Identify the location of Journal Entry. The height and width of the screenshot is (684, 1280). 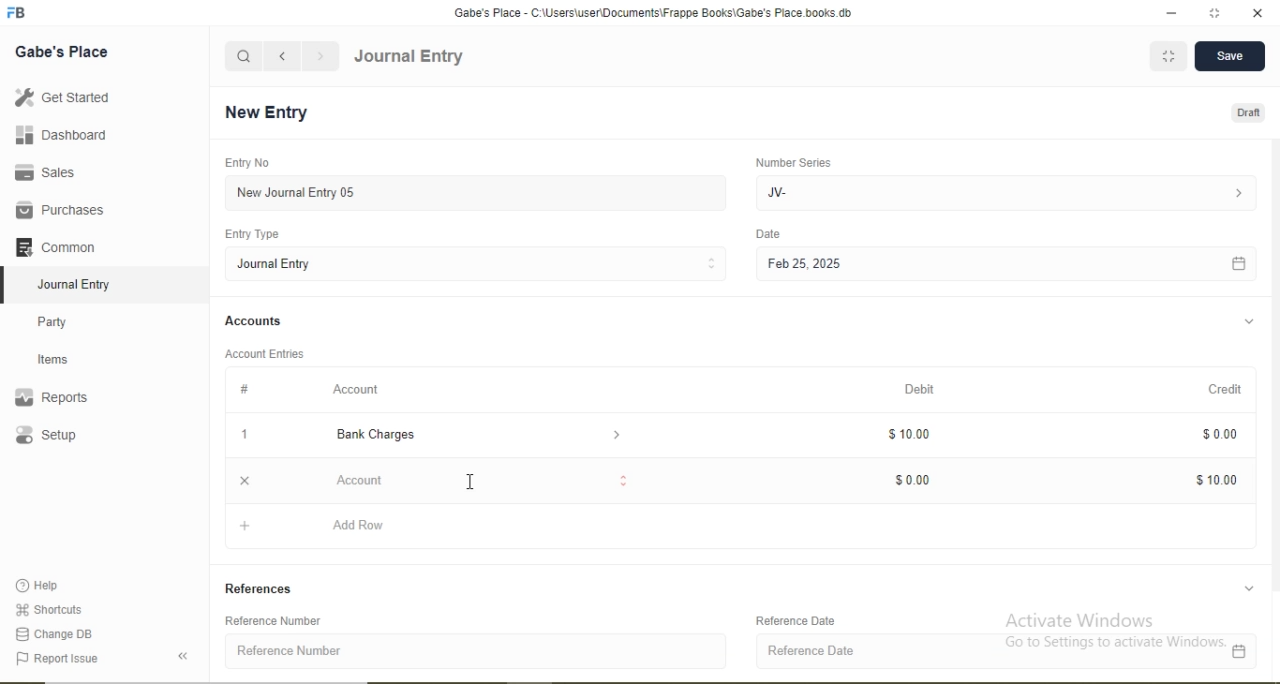
(80, 282).